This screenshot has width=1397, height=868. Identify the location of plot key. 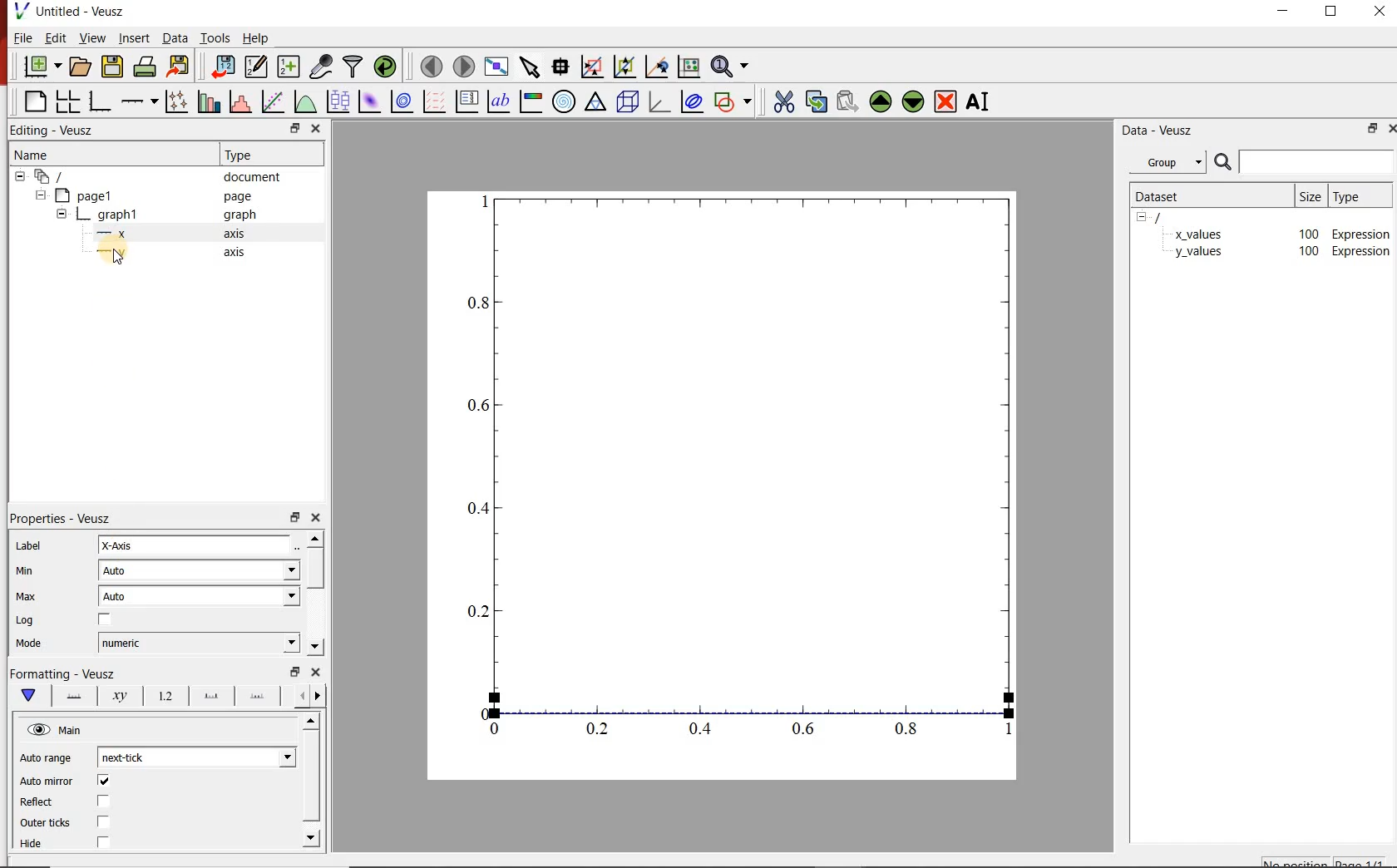
(468, 101).